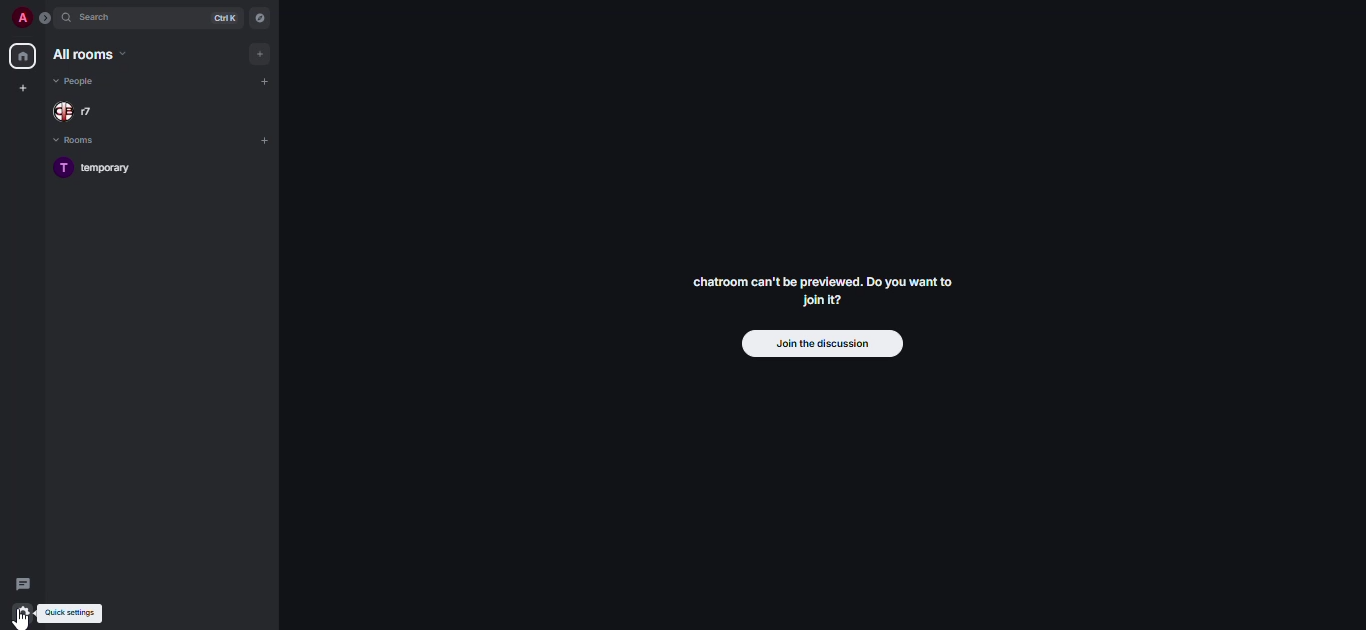 The image size is (1366, 630). I want to click on add, so click(266, 140).